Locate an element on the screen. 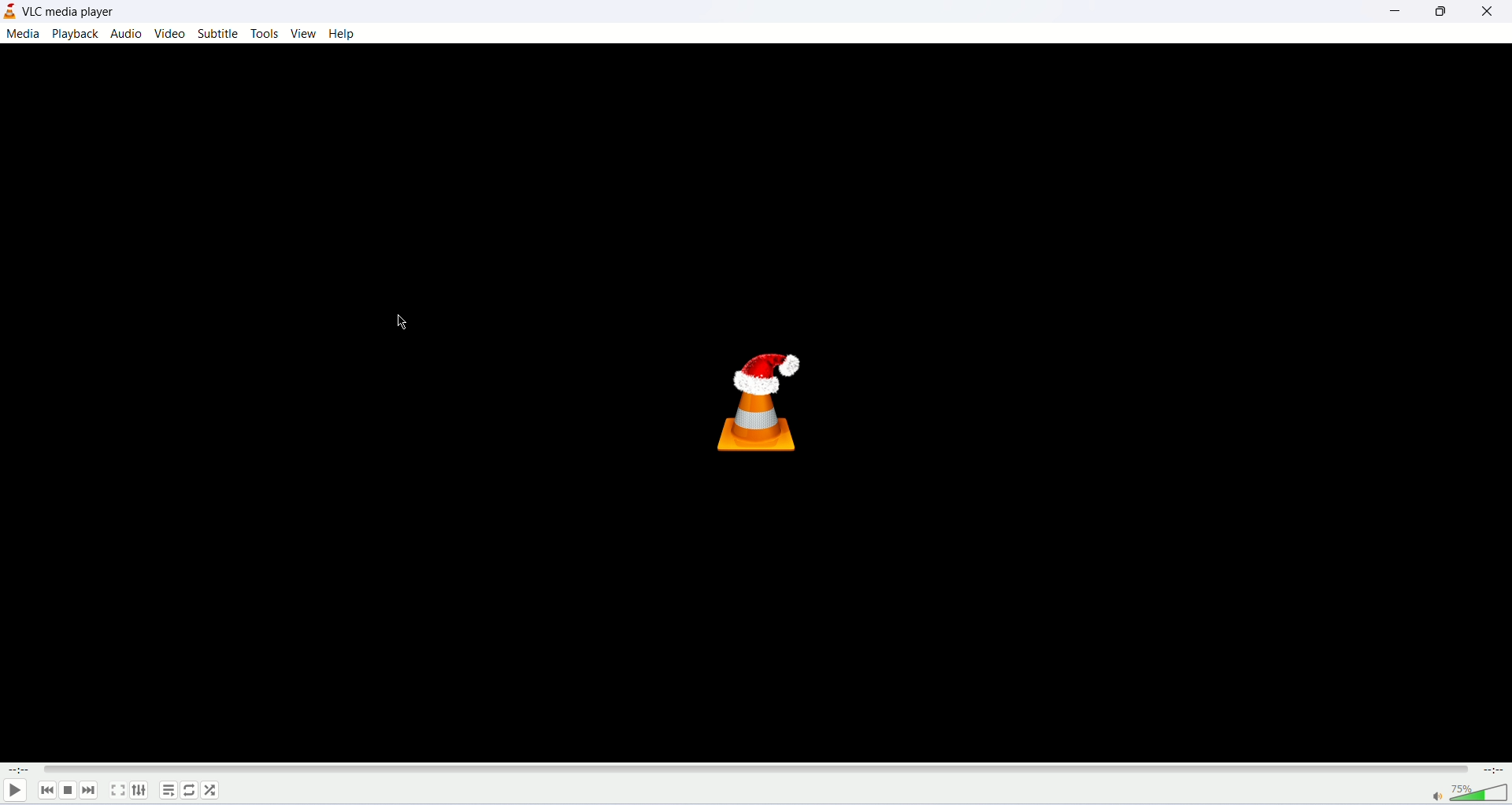 This screenshot has height=805, width=1512. volume bar is located at coordinates (1480, 792).